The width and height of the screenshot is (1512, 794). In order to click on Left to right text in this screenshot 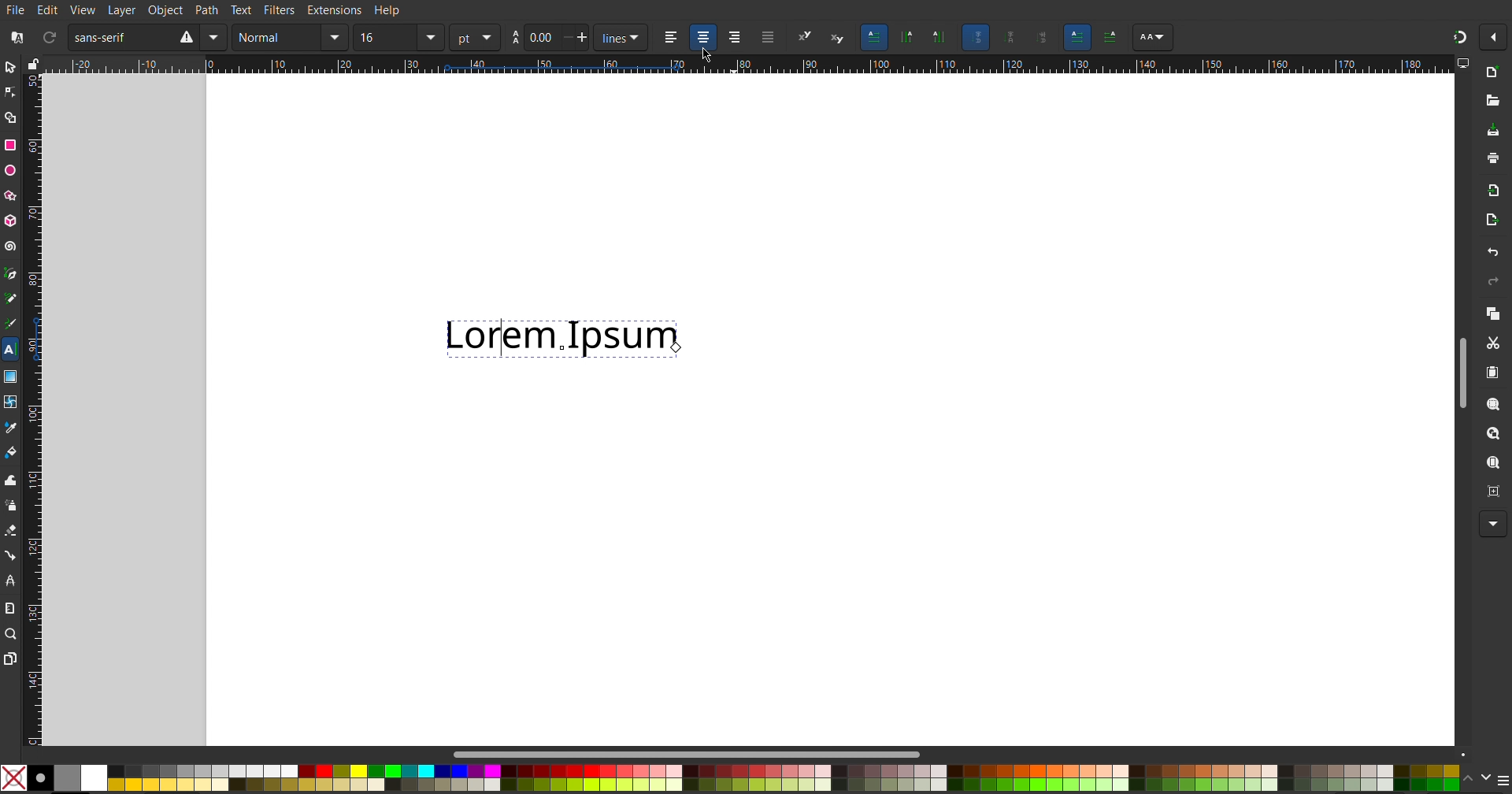, I will do `click(1075, 37)`.